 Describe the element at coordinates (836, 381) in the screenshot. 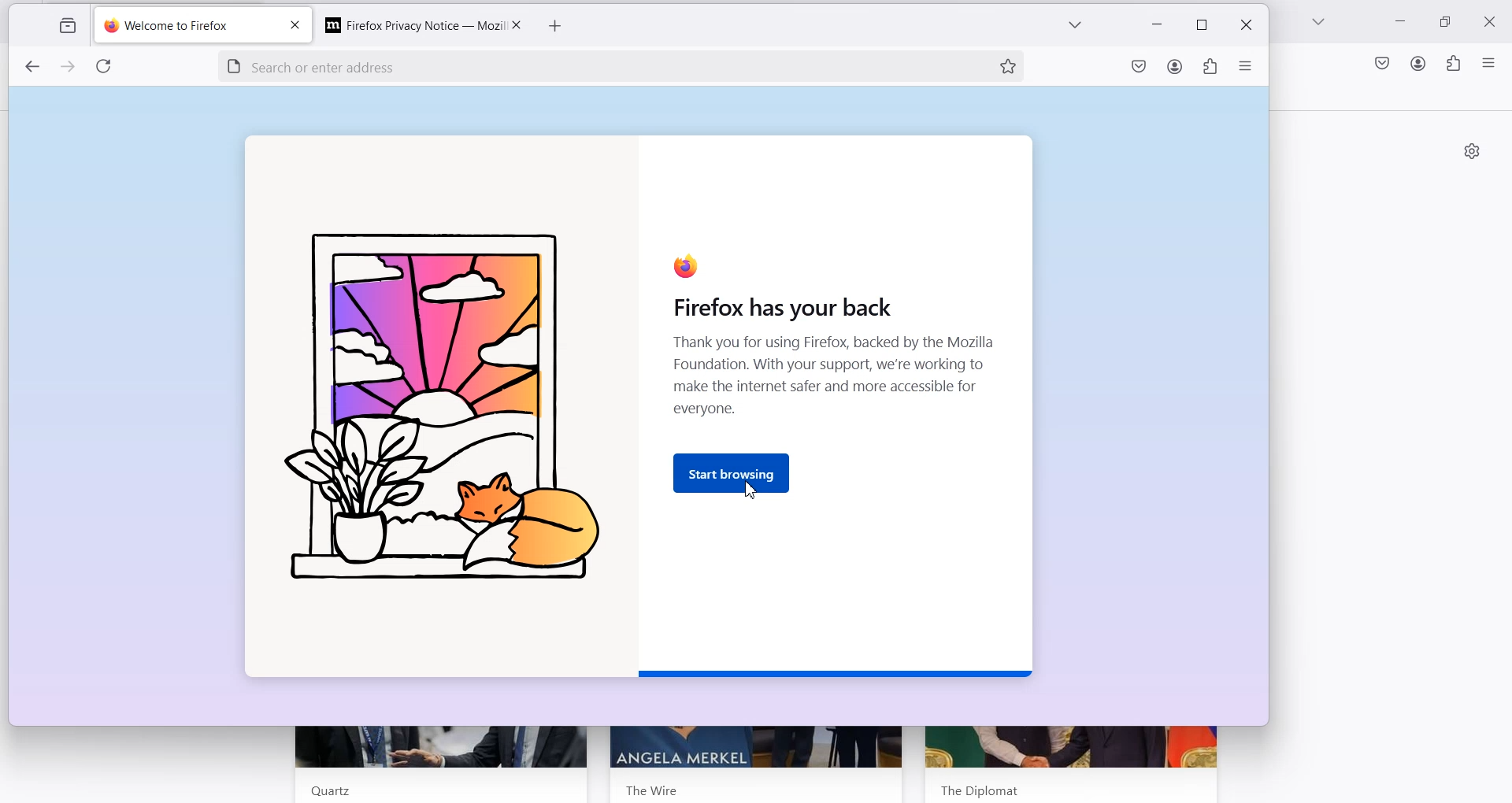

I see `Thank you for using Firefox, backed by the Mozilla Foundation. With your support, we're working to make the internet safer and more accessible for everyone.` at that location.